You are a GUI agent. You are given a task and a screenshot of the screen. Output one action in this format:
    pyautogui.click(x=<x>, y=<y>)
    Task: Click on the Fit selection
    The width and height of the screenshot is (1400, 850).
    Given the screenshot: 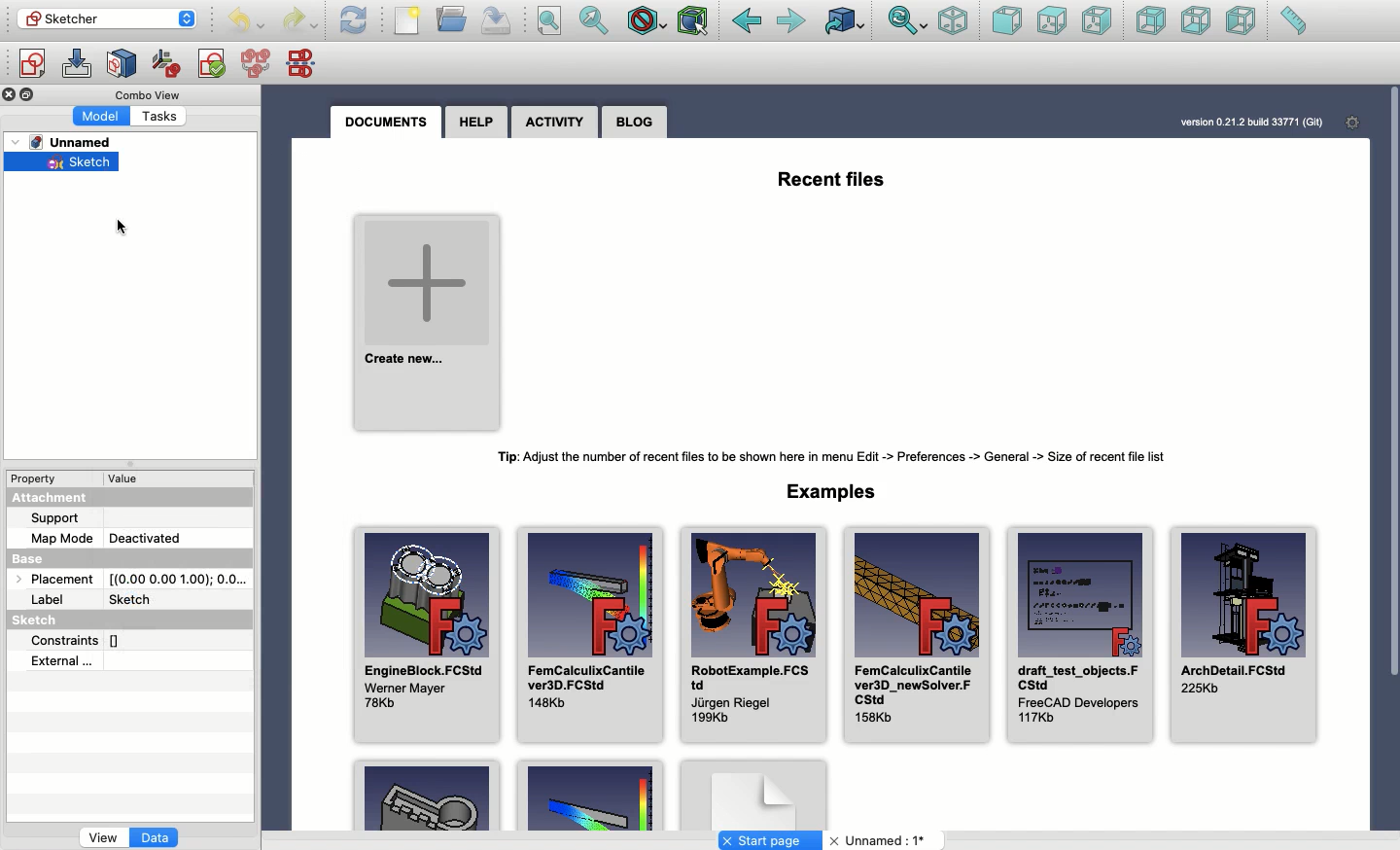 What is the action you would take?
    pyautogui.click(x=595, y=20)
    